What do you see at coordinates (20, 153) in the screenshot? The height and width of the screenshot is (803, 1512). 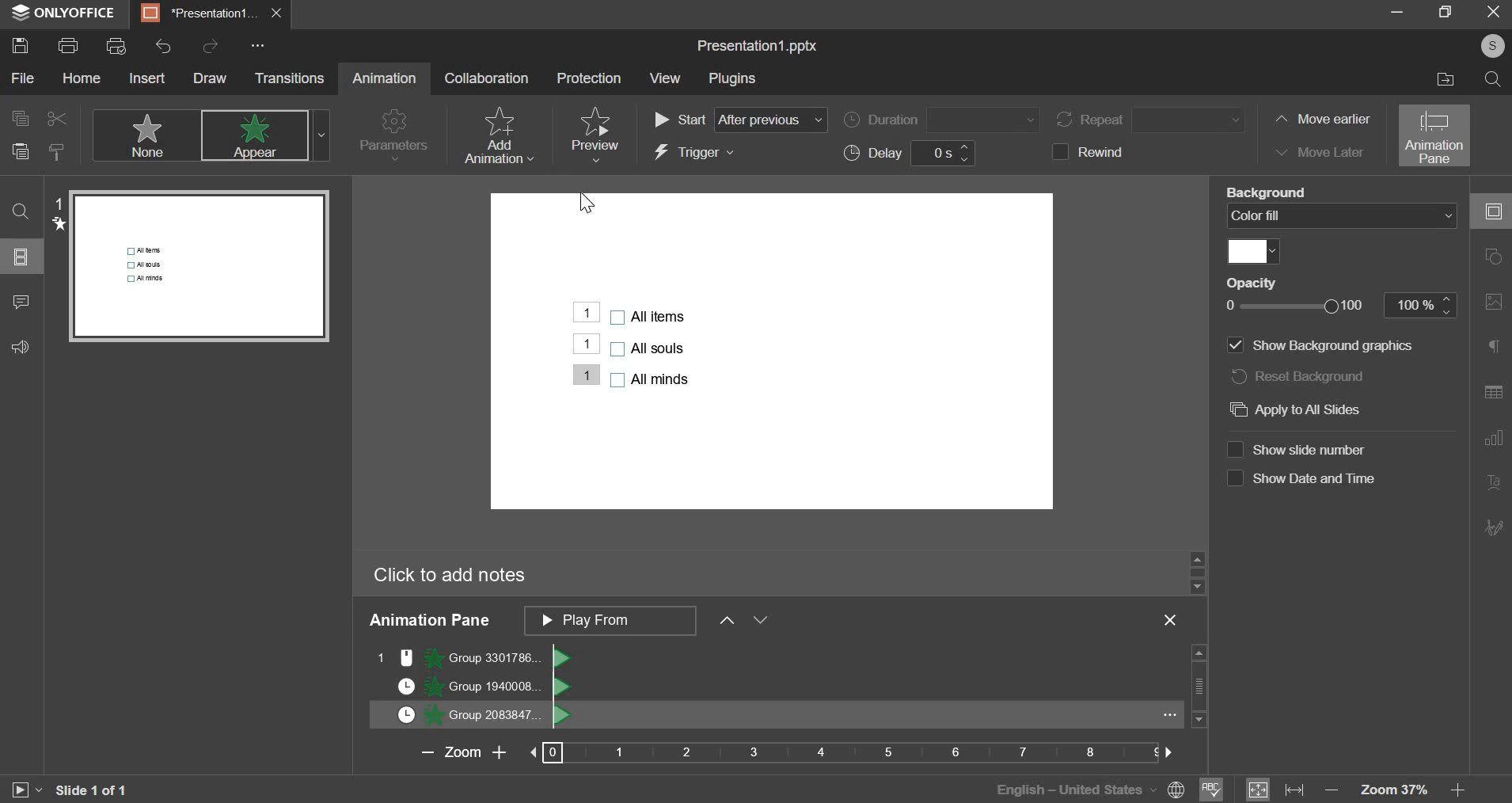 I see `paste` at bounding box center [20, 153].